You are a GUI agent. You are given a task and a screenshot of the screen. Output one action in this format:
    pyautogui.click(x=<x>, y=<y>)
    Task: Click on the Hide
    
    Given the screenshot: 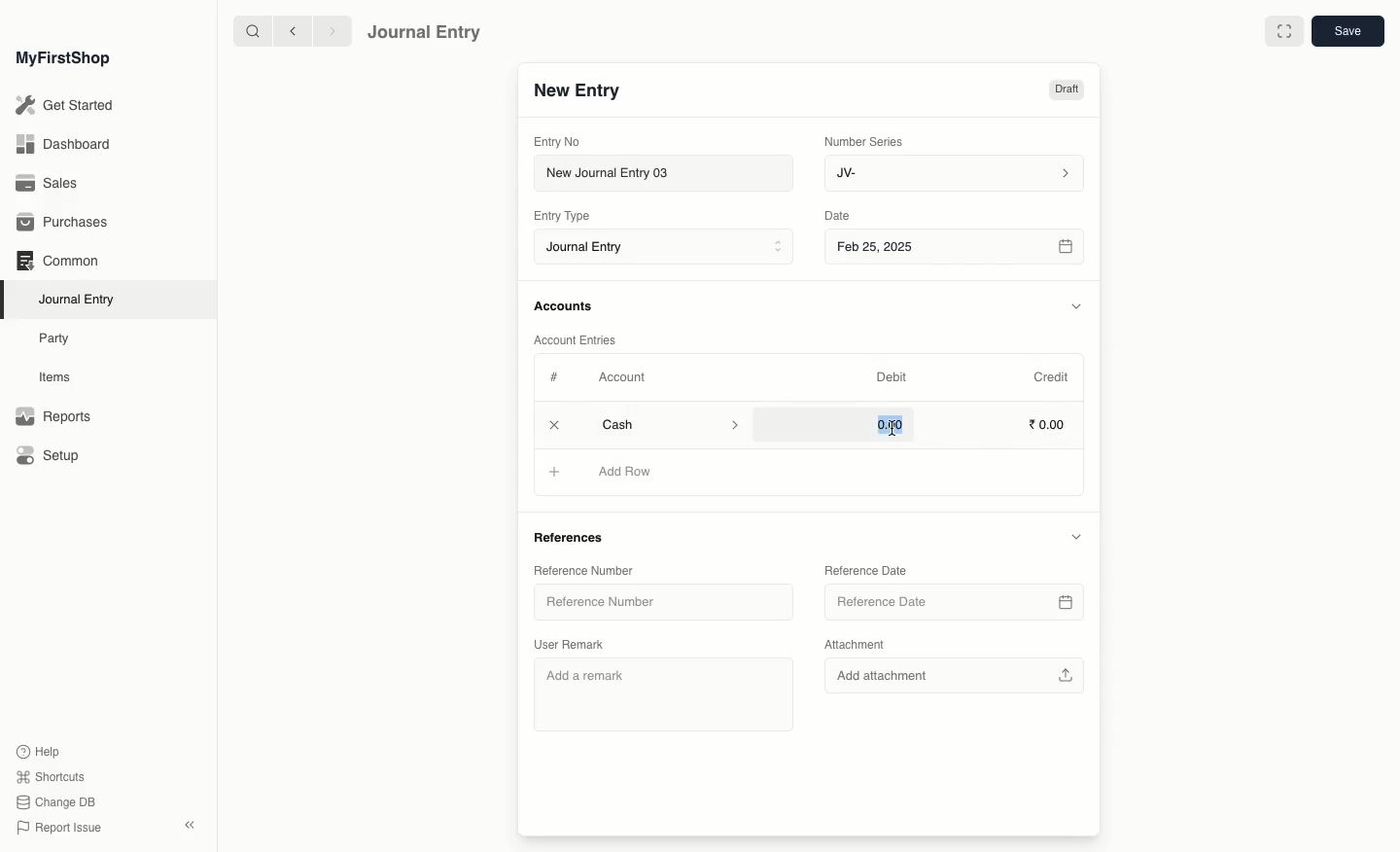 What is the action you would take?
    pyautogui.click(x=1077, y=306)
    